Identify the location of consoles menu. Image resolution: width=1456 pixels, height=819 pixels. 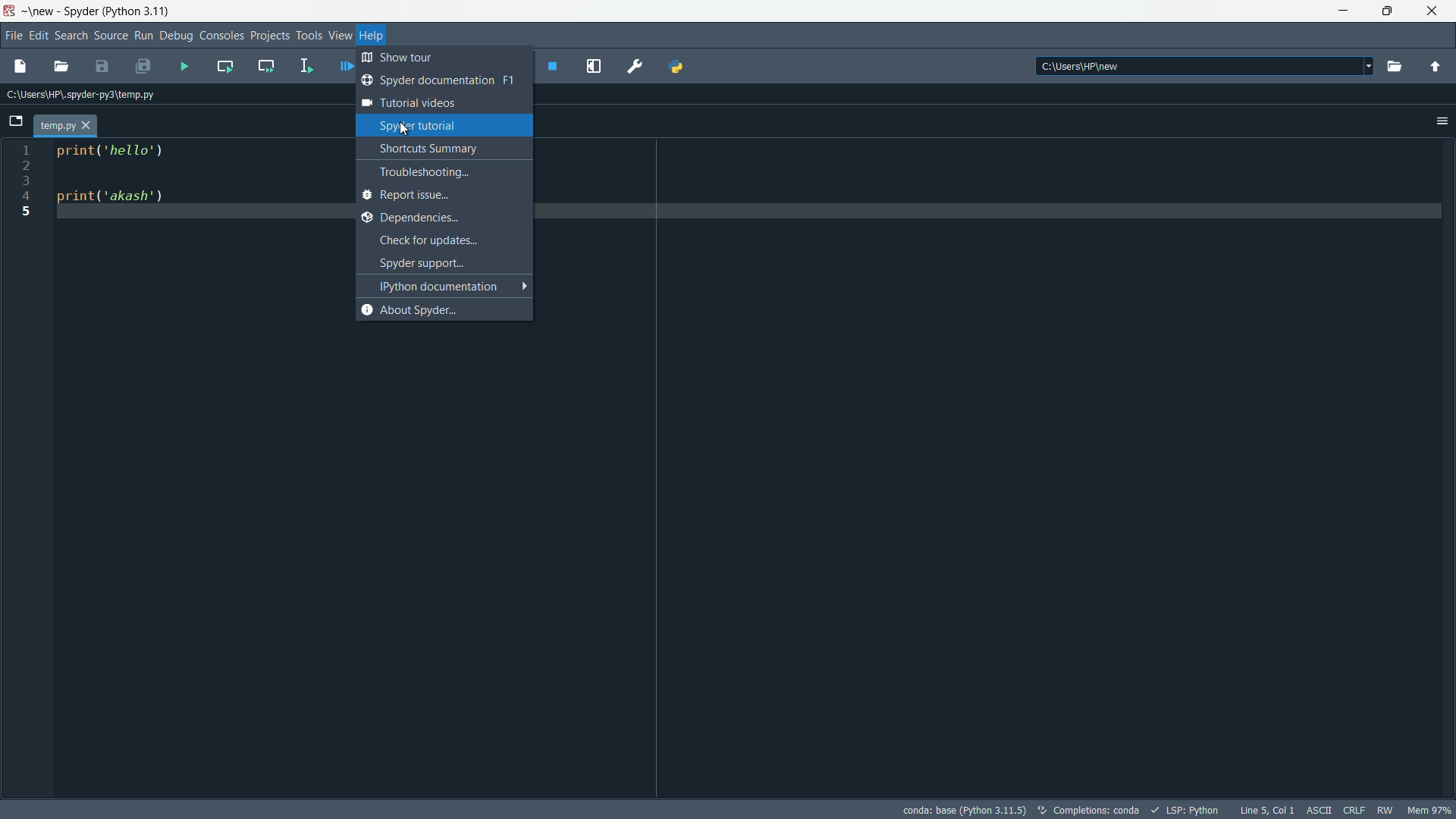
(221, 36).